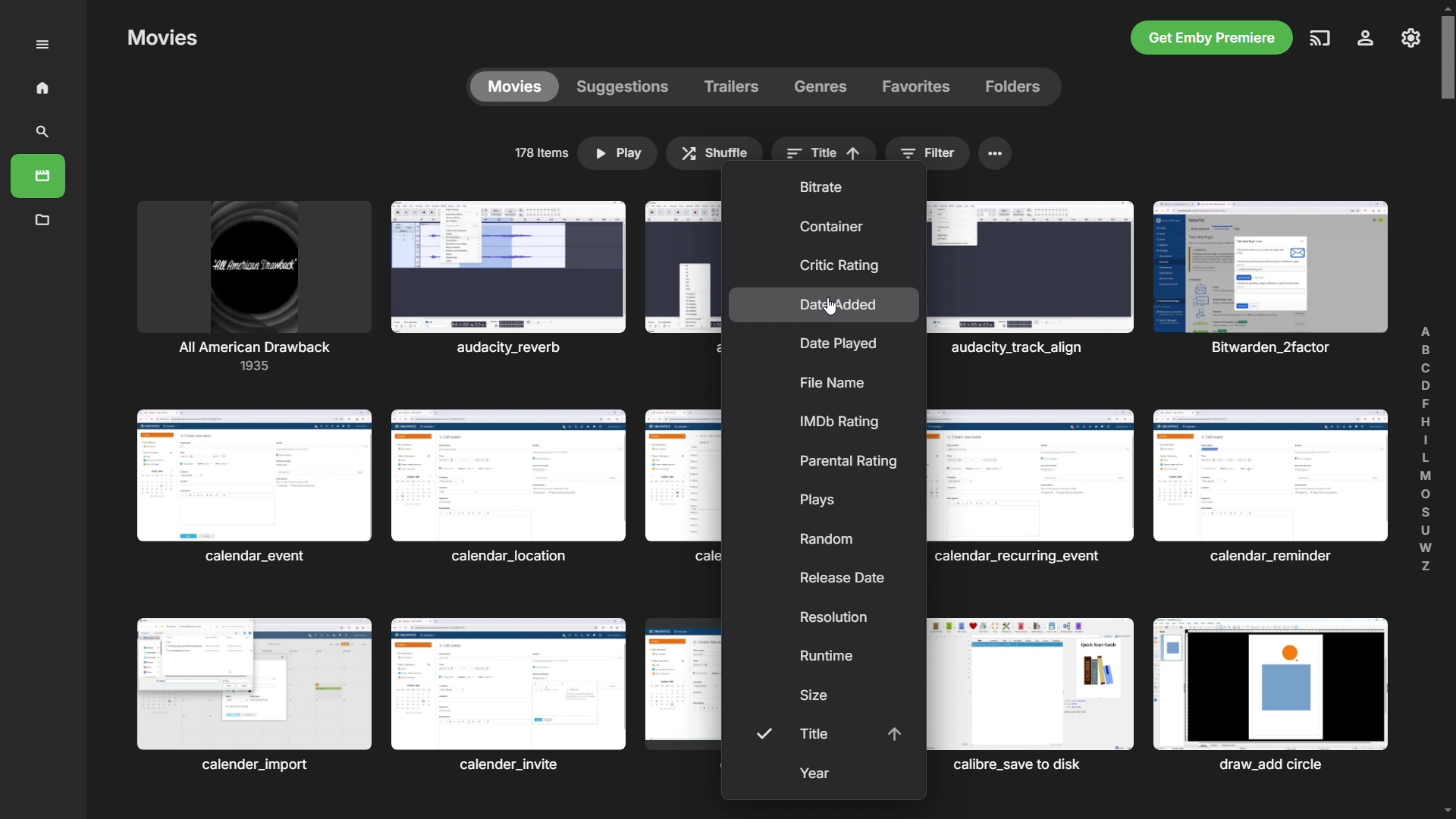  What do you see at coordinates (1212, 37) in the screenshot?
I see `get emby premiere` at bounding box center [1212, 37].